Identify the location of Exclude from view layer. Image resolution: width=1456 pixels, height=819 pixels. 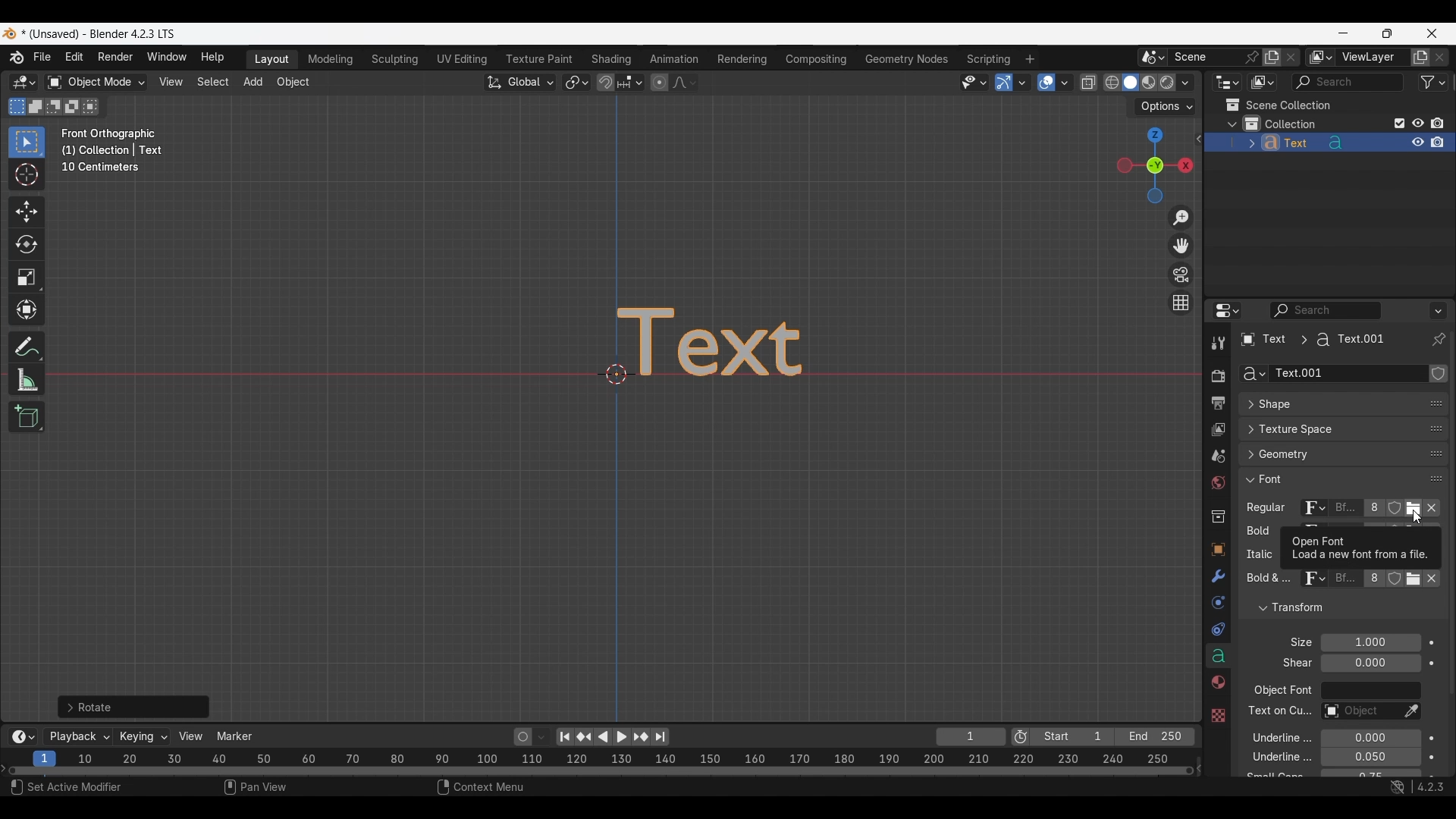
(1400, 123).